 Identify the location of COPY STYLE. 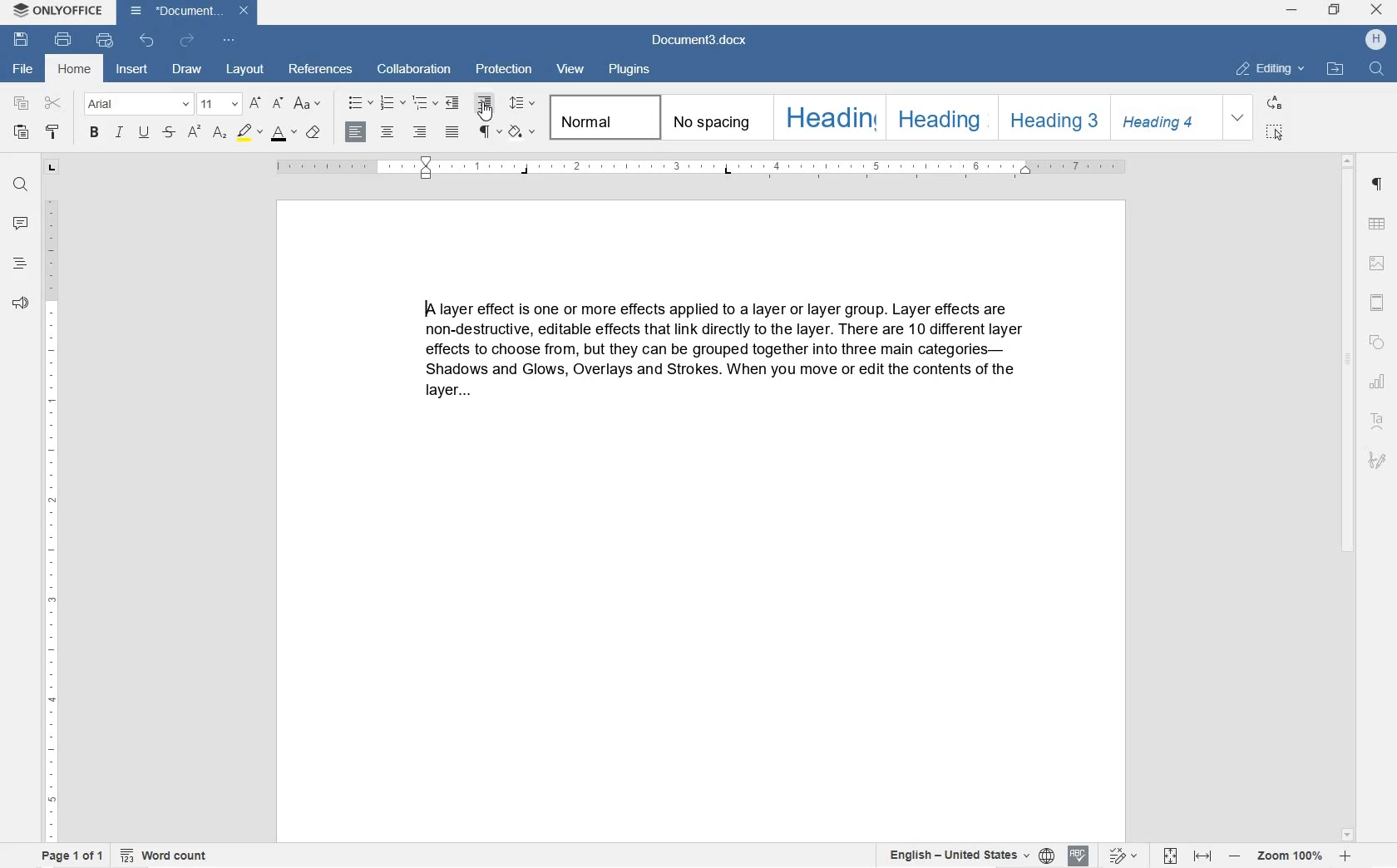
(52, 132).